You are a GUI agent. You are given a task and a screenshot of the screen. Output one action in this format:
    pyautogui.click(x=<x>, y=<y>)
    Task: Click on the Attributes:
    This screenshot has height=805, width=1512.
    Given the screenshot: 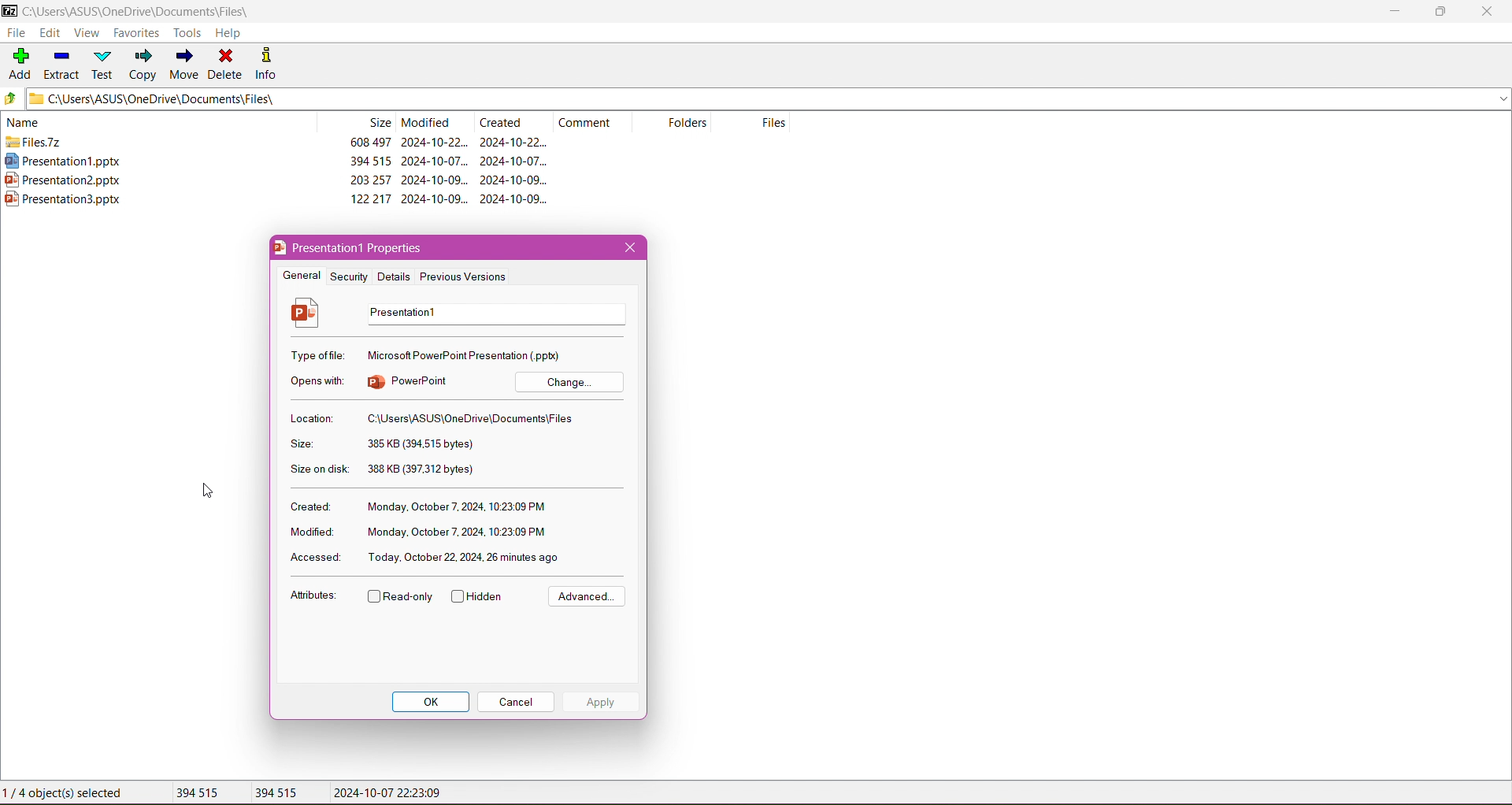 What is the action you would take?
    pyautogui.click(x=317, y=595)
    